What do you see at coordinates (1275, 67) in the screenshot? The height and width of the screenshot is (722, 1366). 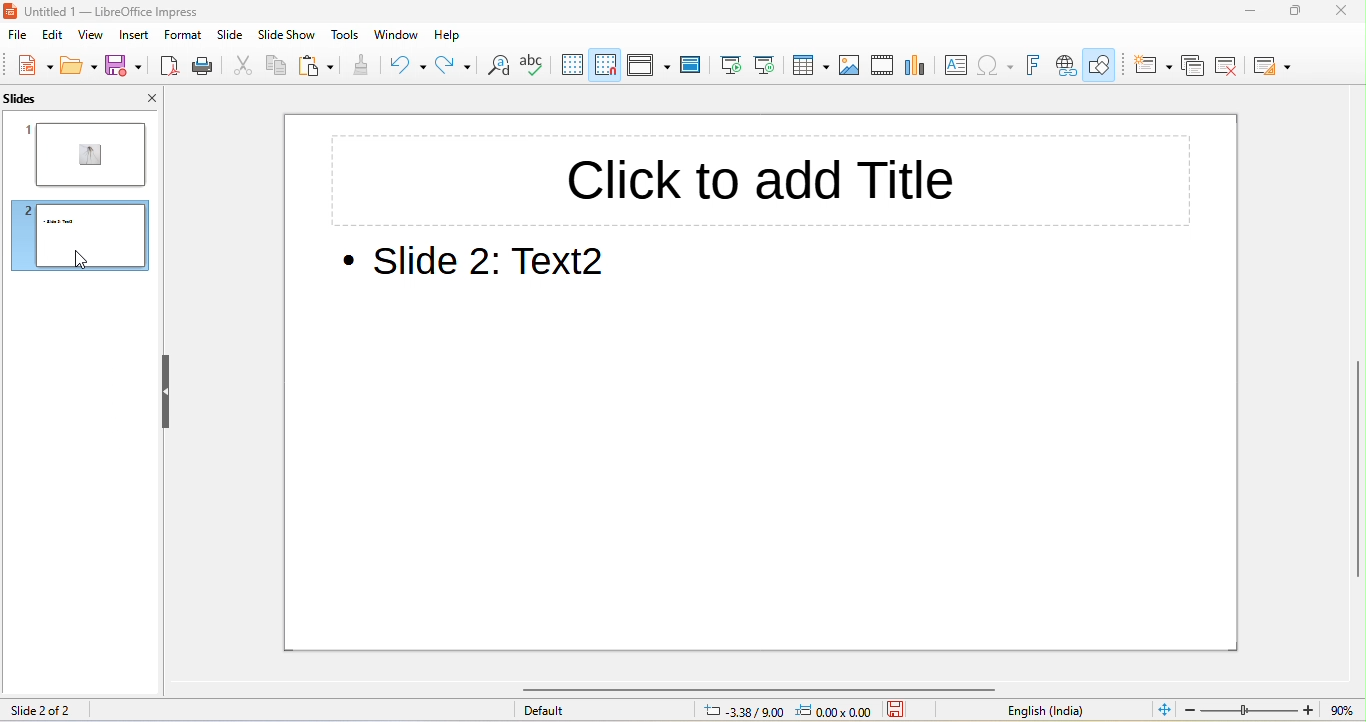 I see `slide layout` at bounding box center [1275, 67].